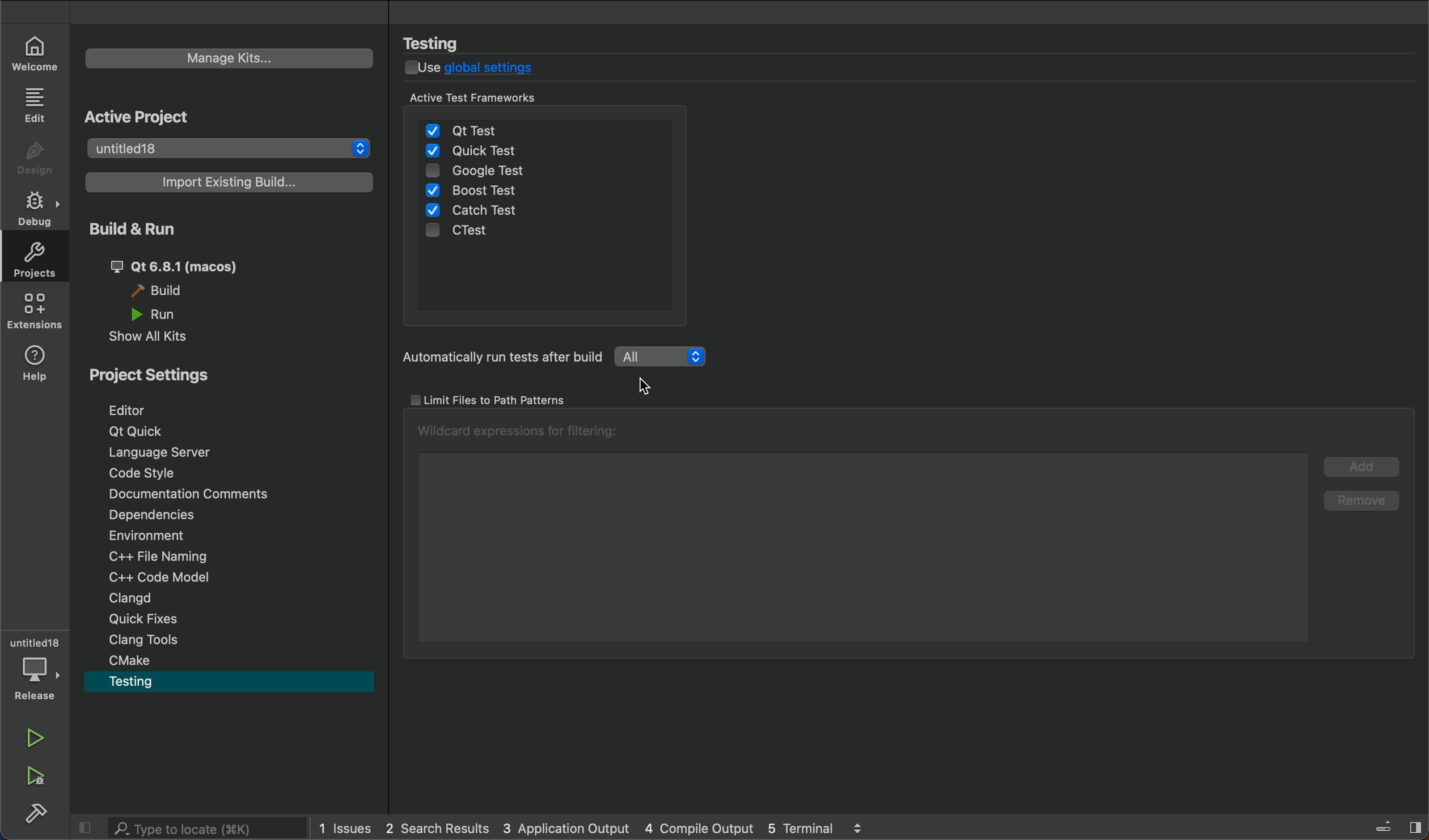 The height and width of the screenshot is (840, 1429). I want to click on close, so click(84, 828).